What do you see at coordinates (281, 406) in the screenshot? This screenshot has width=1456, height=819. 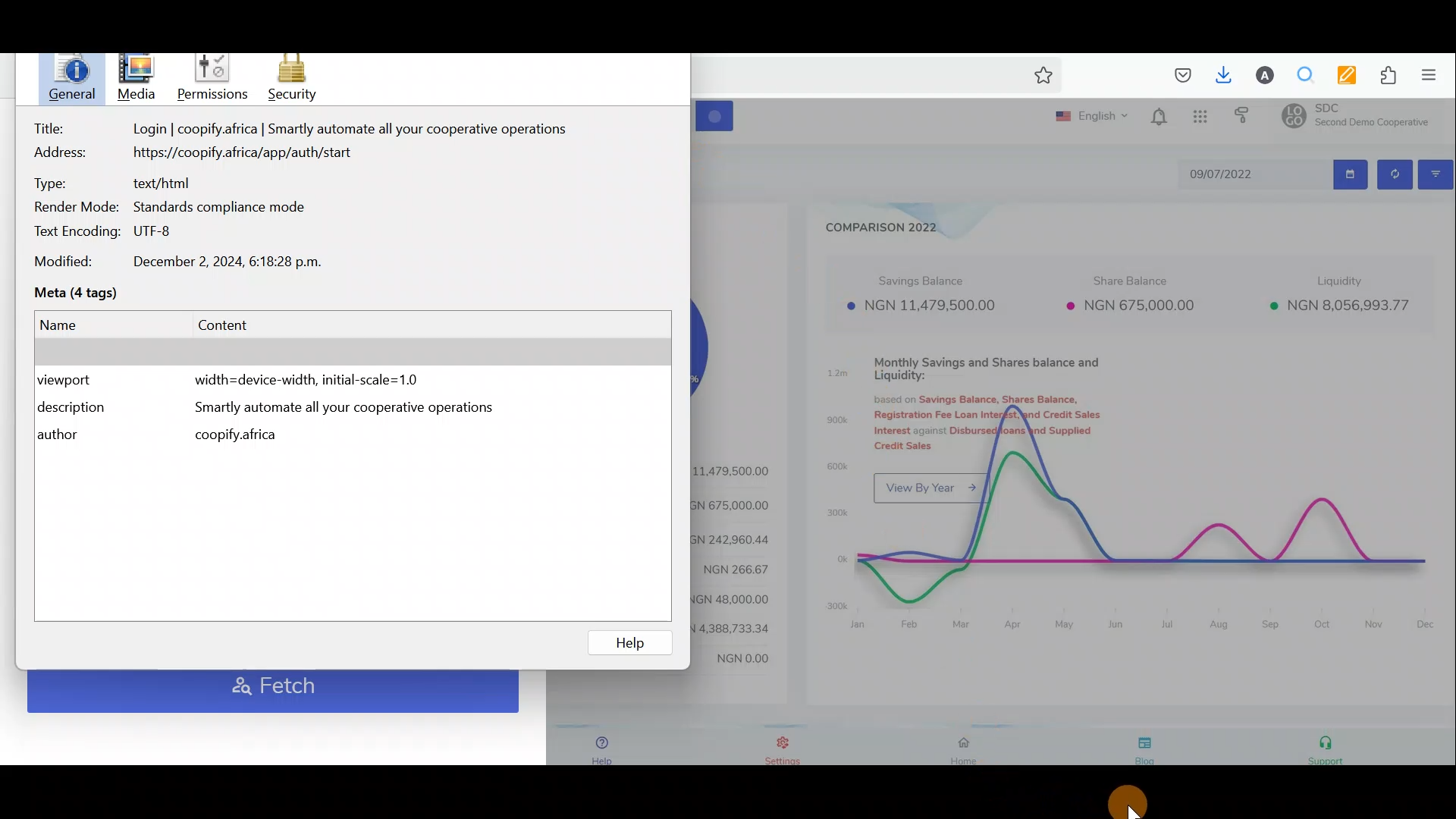 I see `Description` at bounding box center [281, 406].